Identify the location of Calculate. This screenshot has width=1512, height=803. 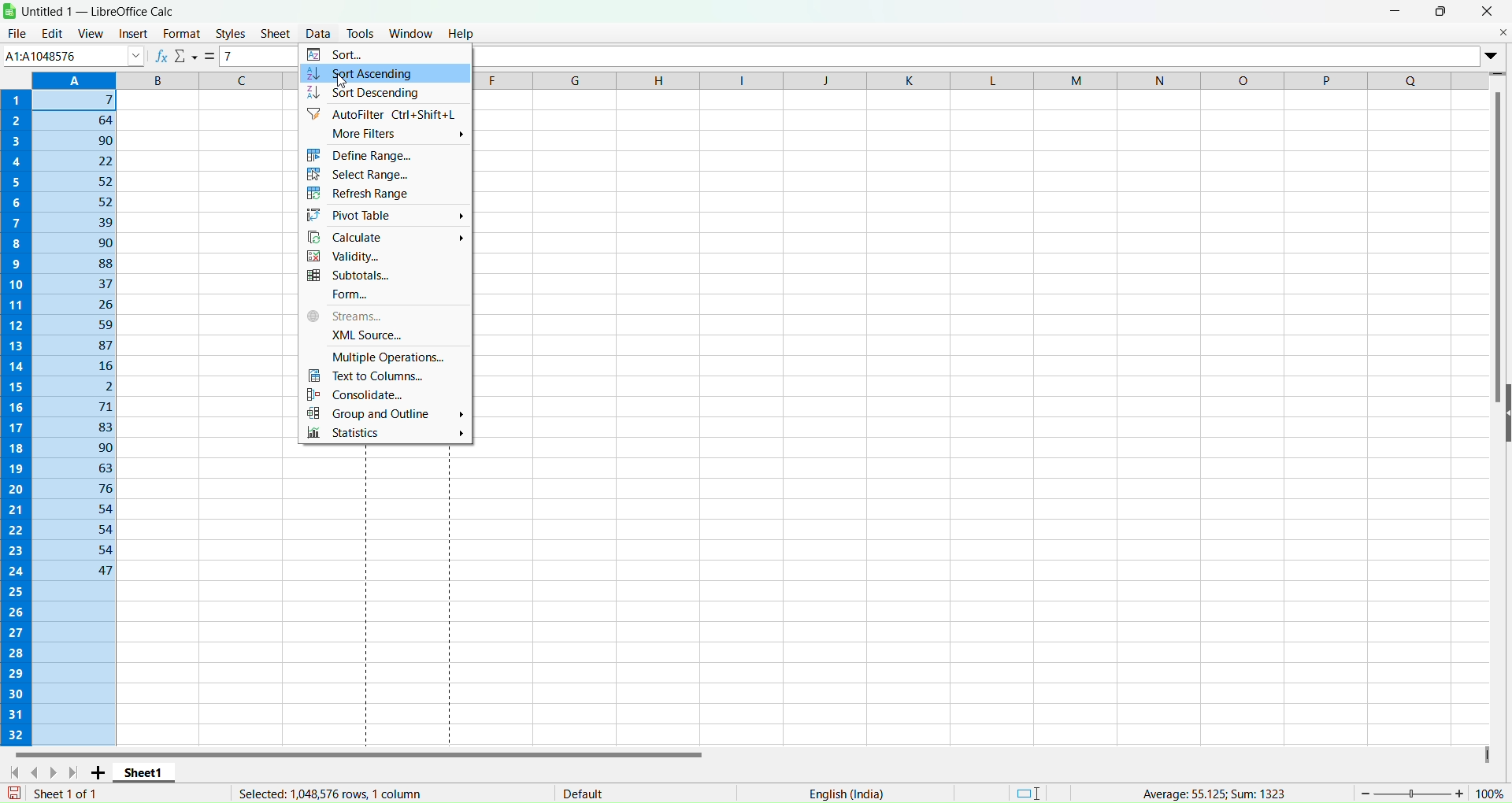
(384, 238).